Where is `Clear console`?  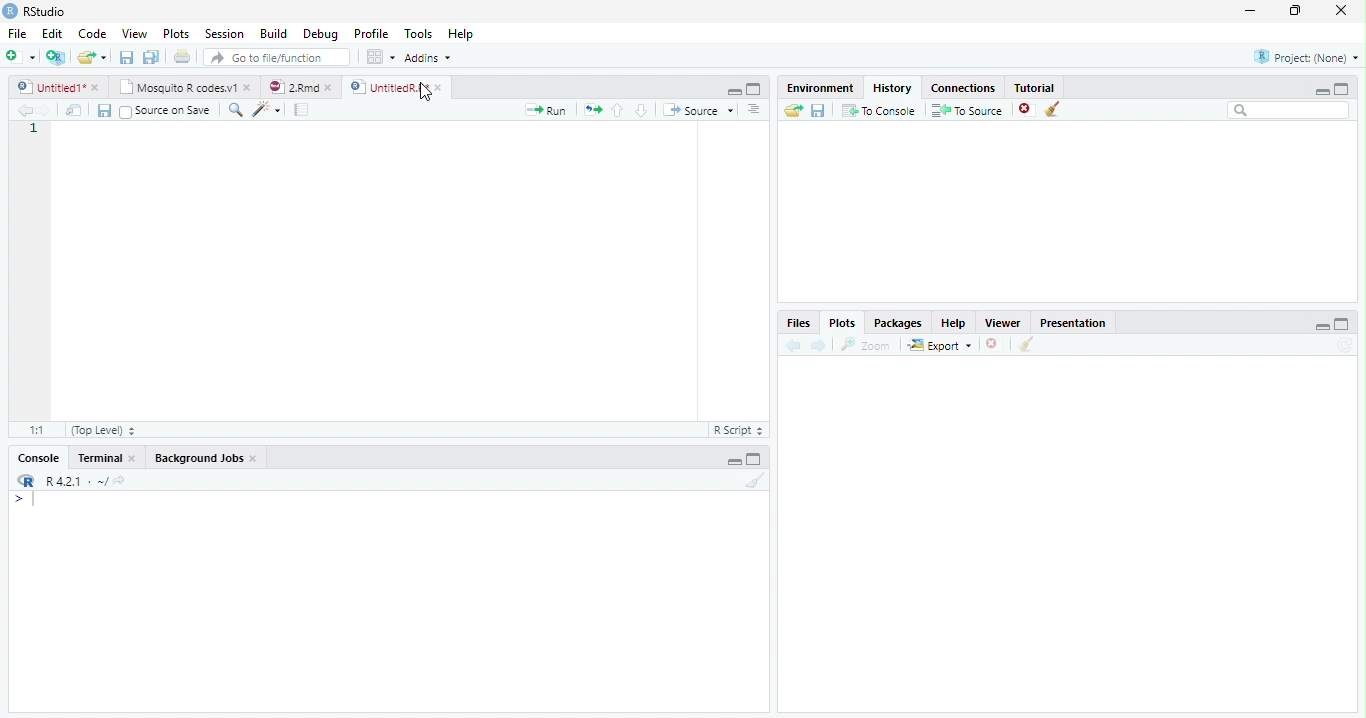
Clear console is located at coordinates (759, 483).